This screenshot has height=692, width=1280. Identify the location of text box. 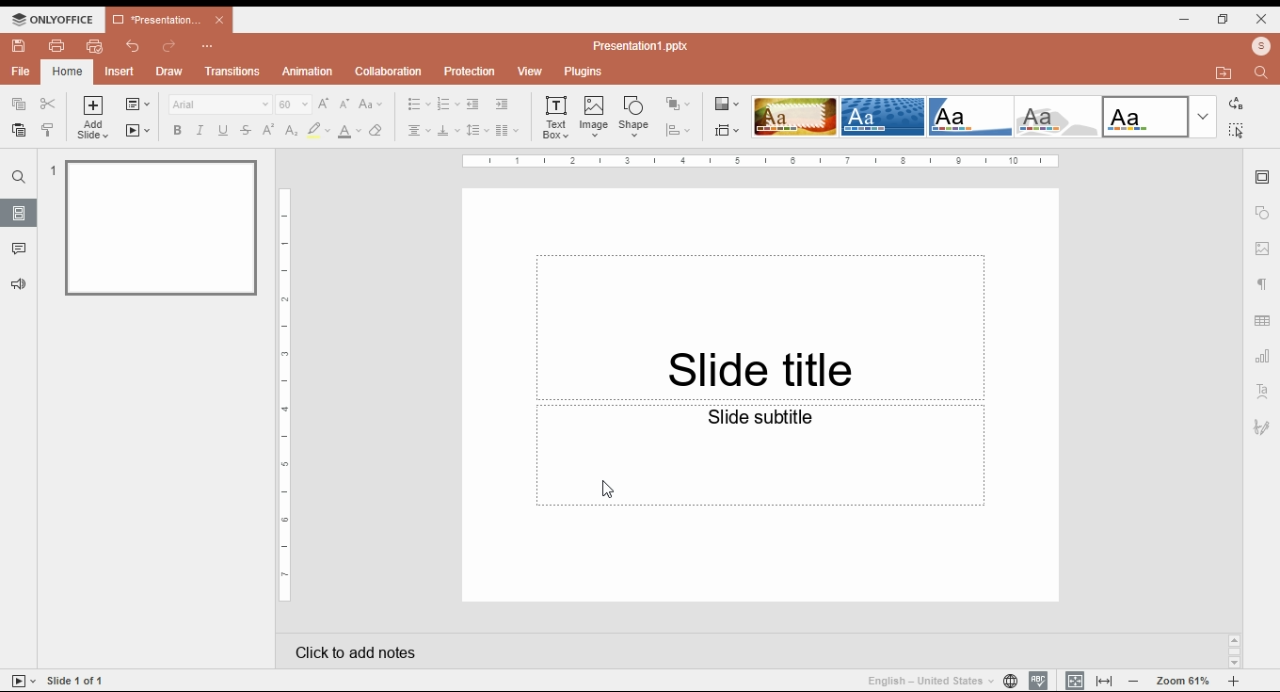
(558, 116).